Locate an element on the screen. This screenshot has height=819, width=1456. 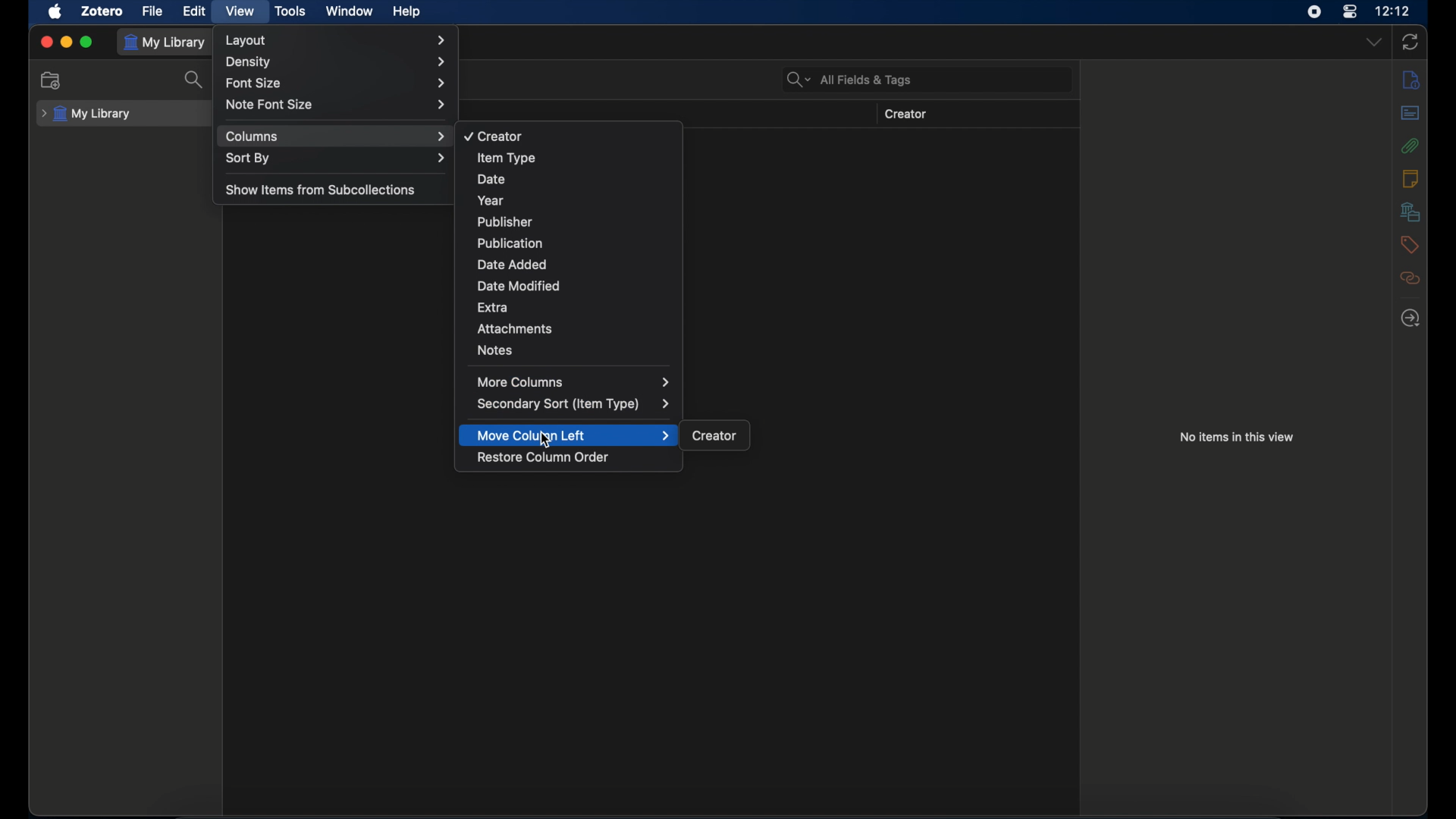
edit is located at coordinates (196, 11).